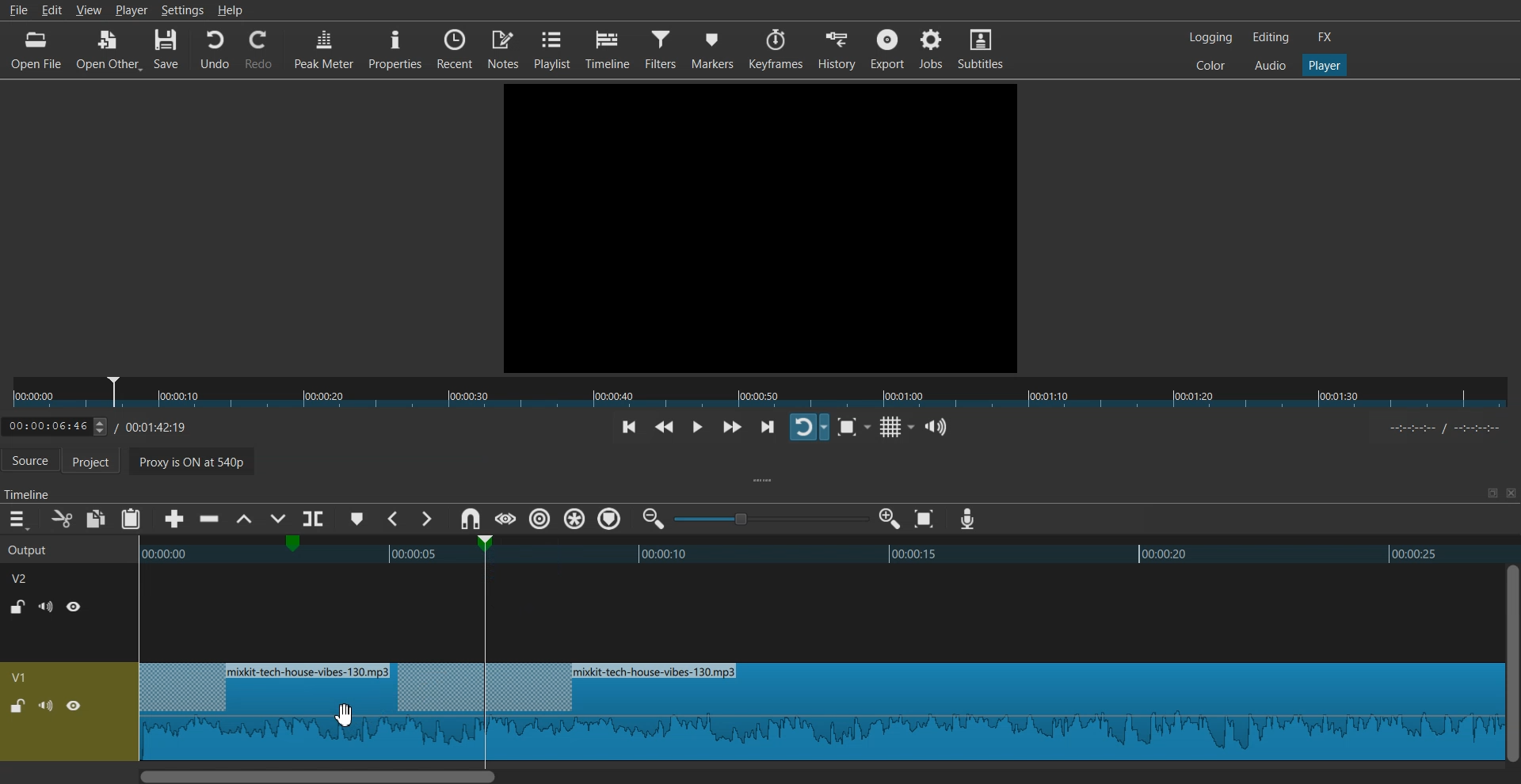 This screenshot has height=784, width=1521. What do you see at coordinates (849, 428) in the screenshot?
I see `Toggle Zoom` at bounding box center [849, 428].